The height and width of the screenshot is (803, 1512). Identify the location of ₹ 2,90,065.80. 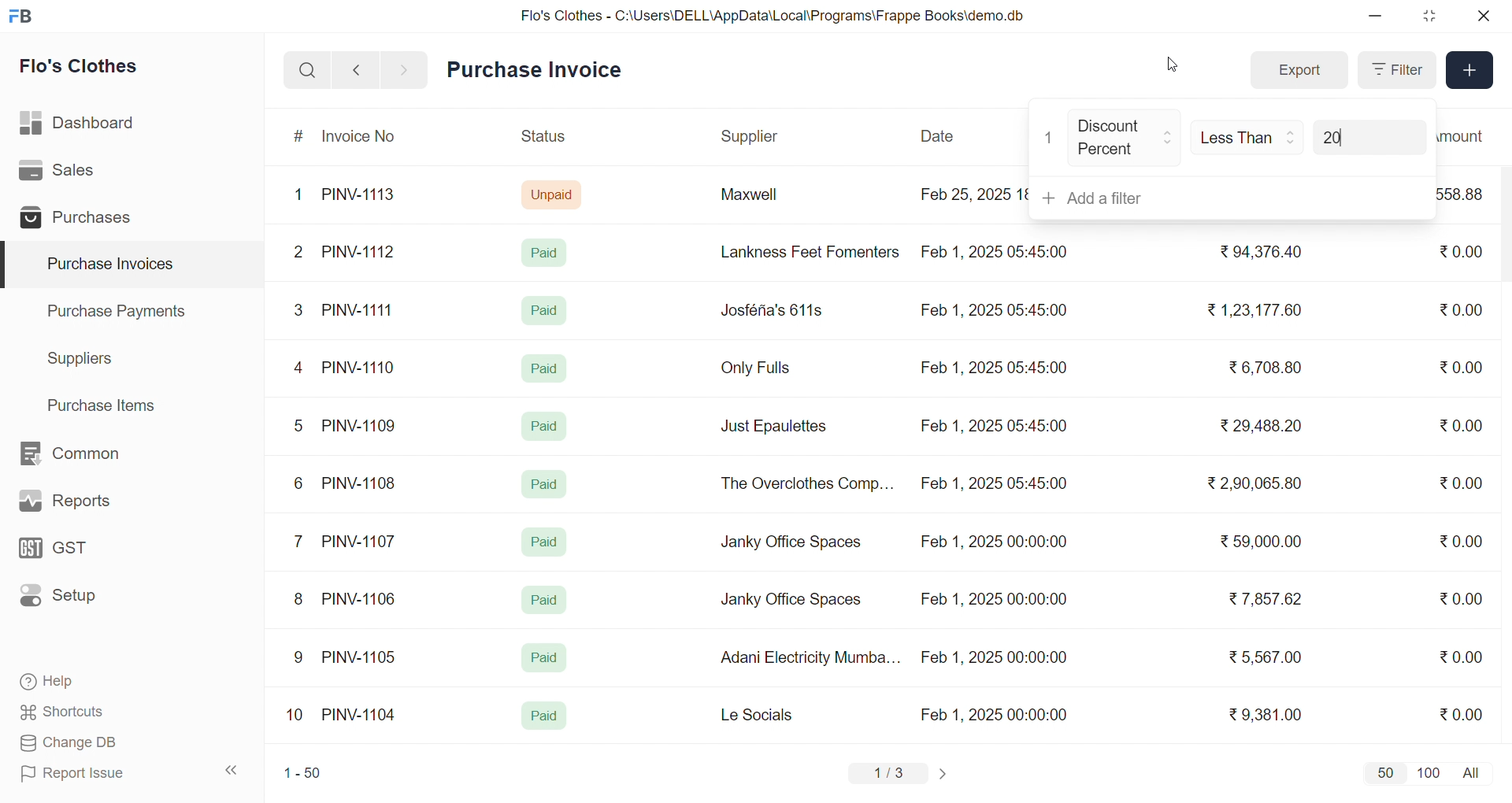
(1256, 484).